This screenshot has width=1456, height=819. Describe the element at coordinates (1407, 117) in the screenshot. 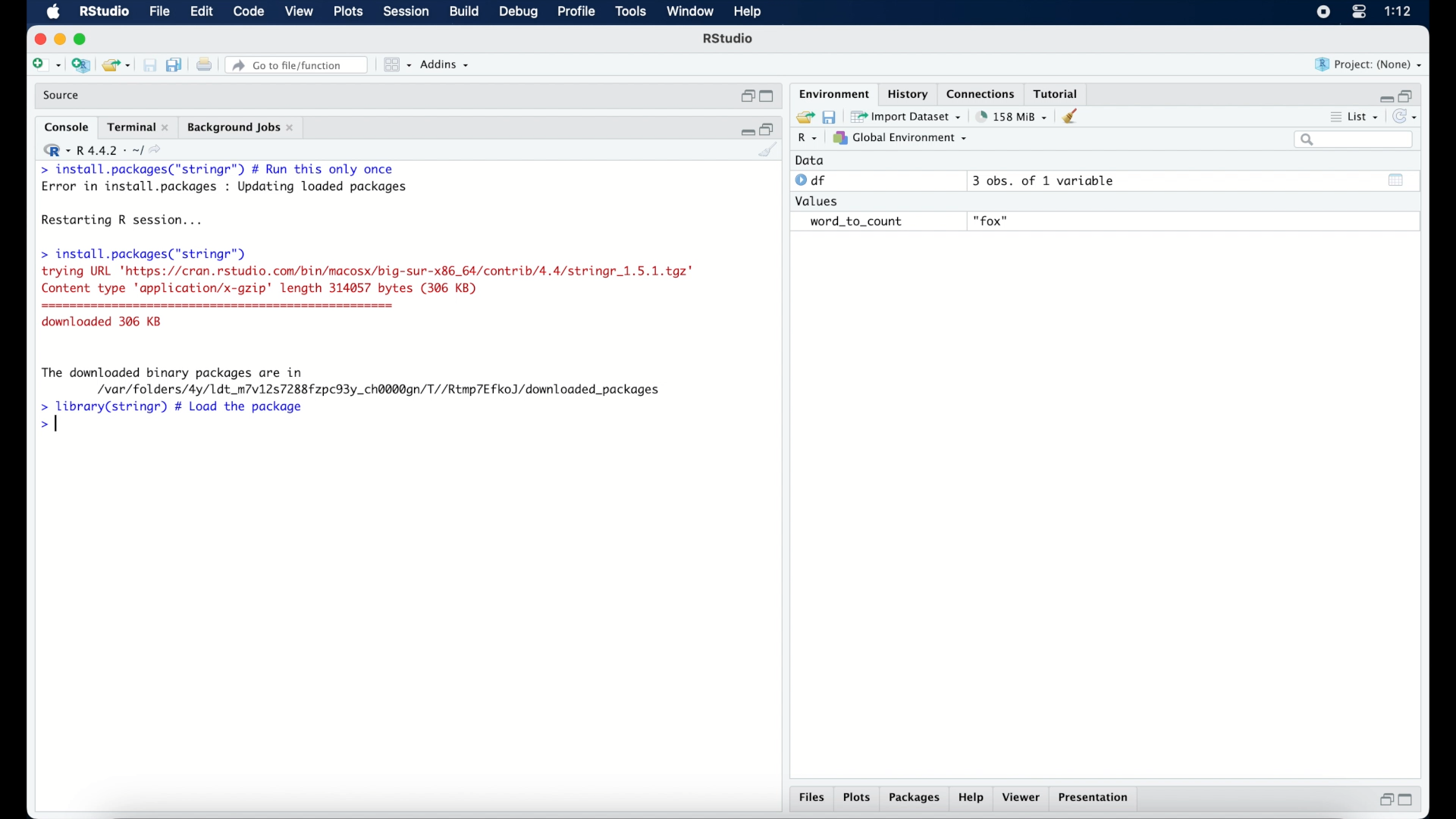

I see `refresh` at that location.